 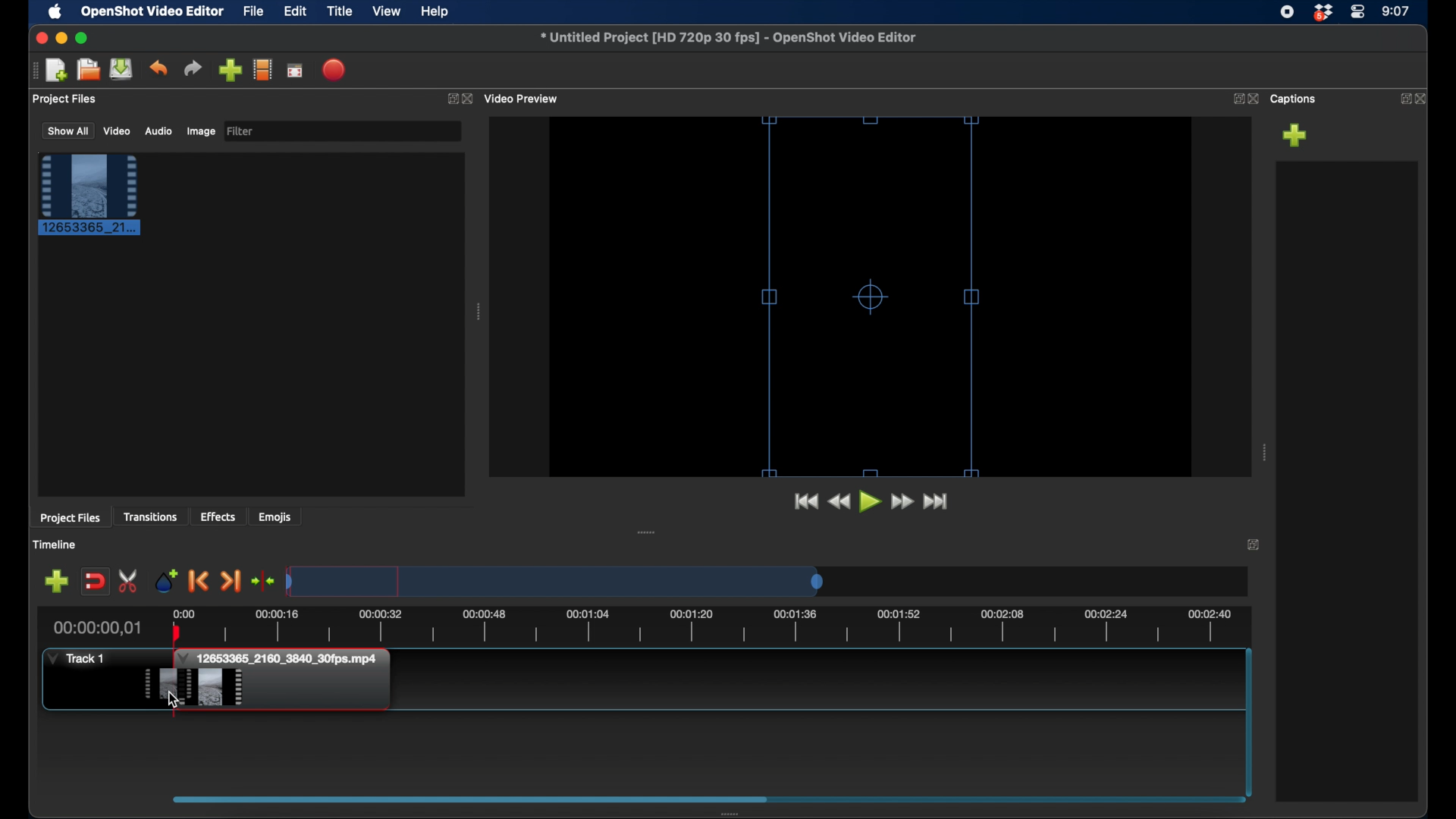 What do you see at coordinates (89, 194) in the screenshot?
I see `clip selected` at bounding box center [89, 194].